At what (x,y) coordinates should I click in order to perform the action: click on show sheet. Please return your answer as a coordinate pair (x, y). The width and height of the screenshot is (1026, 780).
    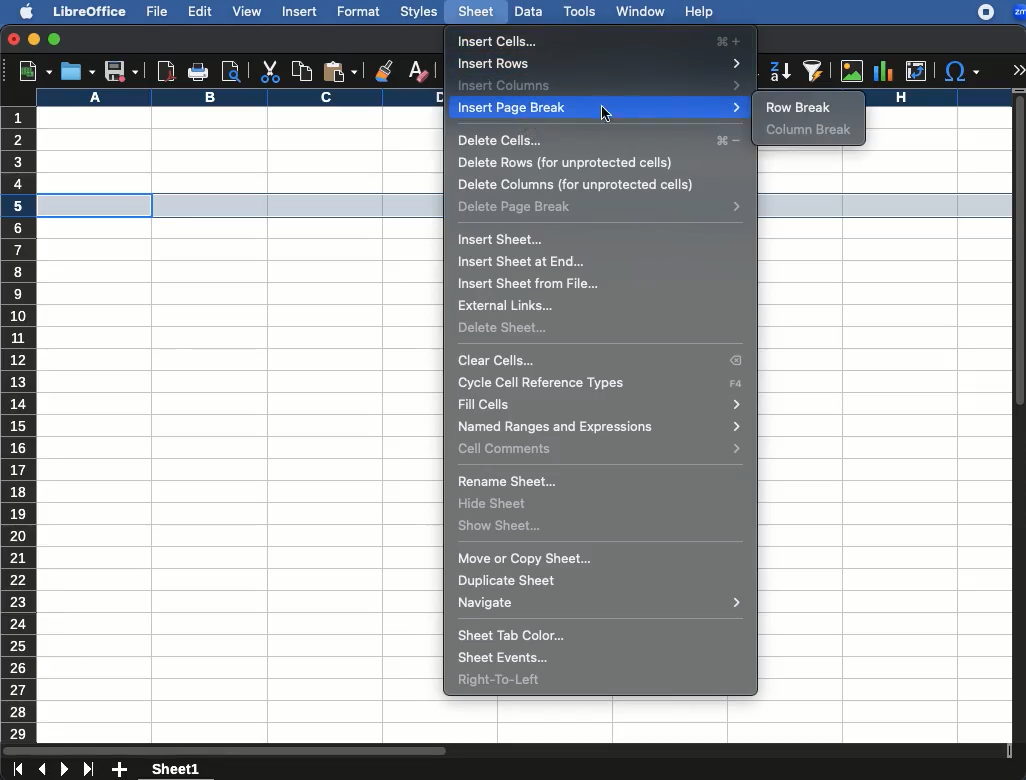
    Looking at the image, I should click on (501, 526).